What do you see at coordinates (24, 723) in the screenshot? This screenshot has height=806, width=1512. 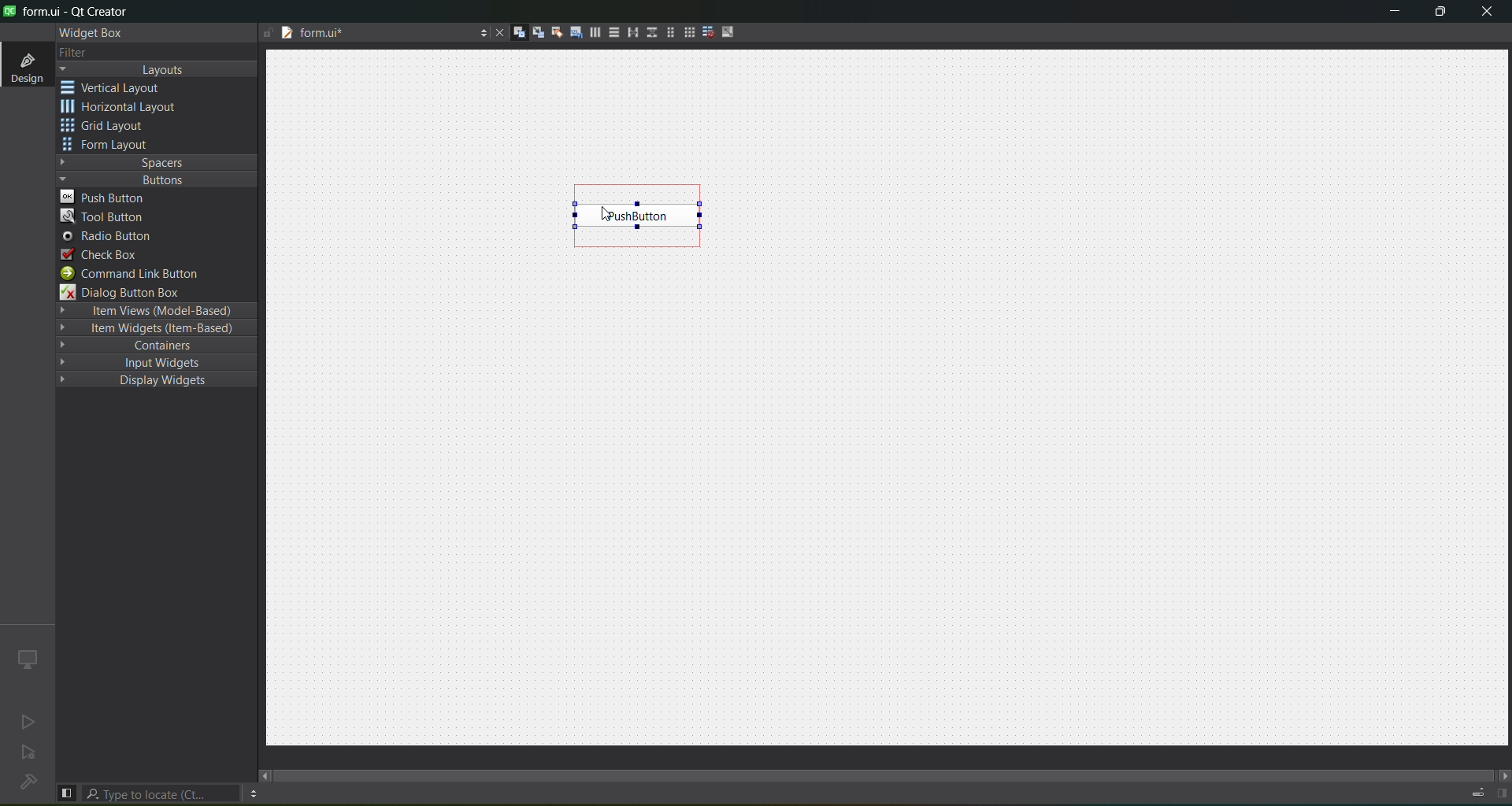 I see `no active` at bounding box center [24, 723].